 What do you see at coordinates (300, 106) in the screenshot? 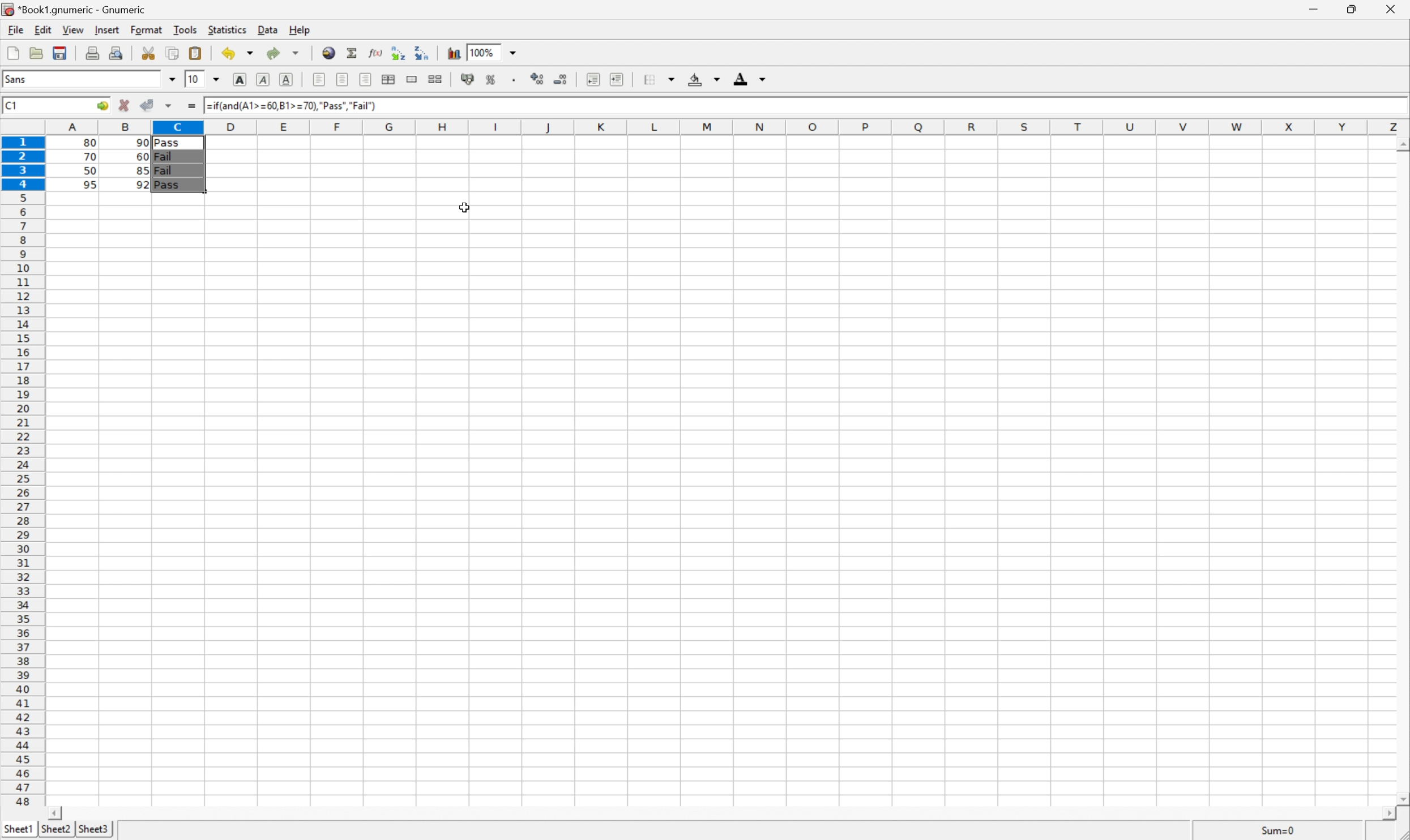
I see `=if(and(A1>=60,B1>=70),"Pass","Fail")` at bounding box center [300, 106].